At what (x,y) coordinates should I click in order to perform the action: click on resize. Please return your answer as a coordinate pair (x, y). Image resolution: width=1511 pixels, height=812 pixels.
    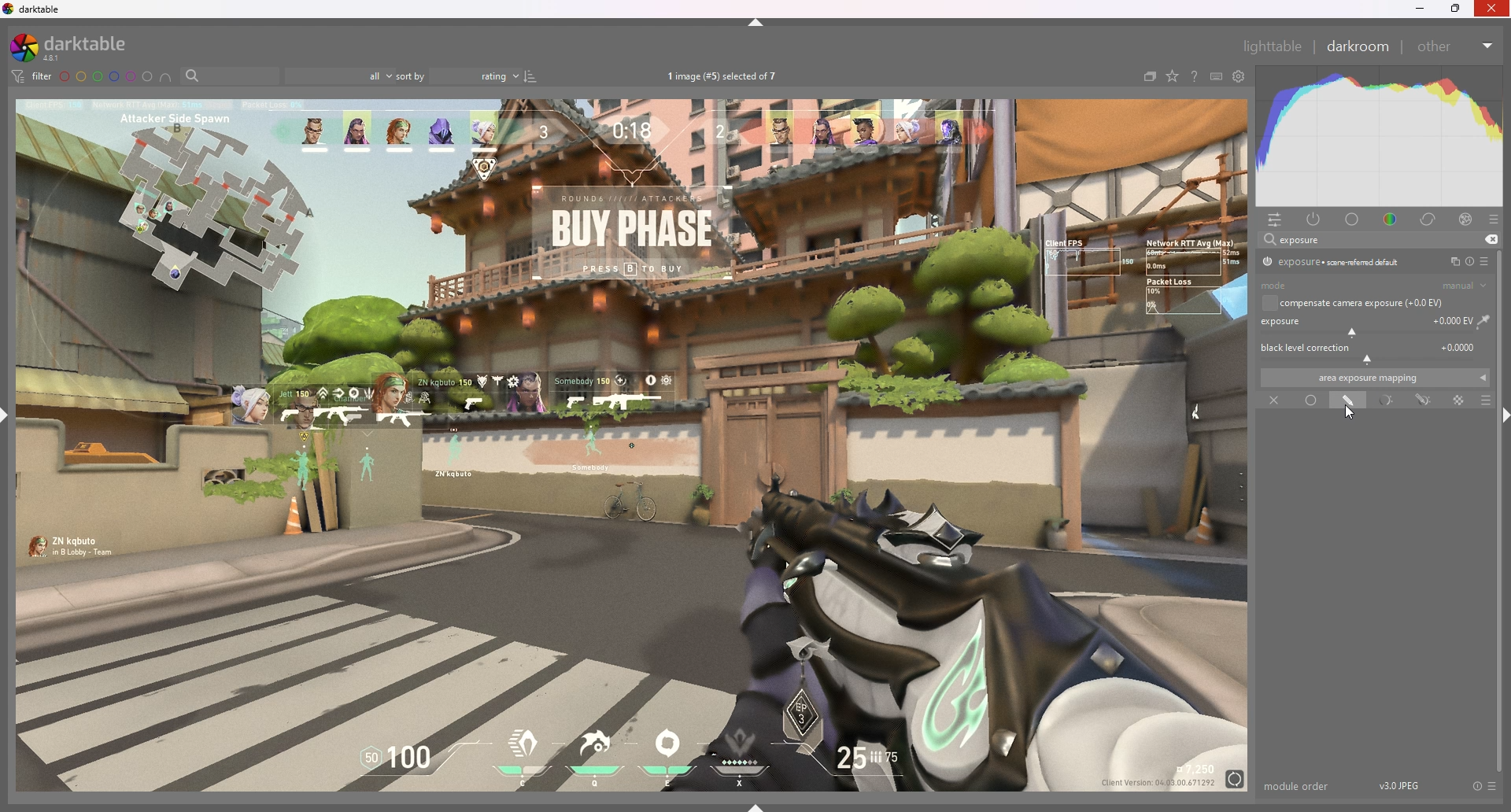
    Looking at the image, I should click on (1456, 9).